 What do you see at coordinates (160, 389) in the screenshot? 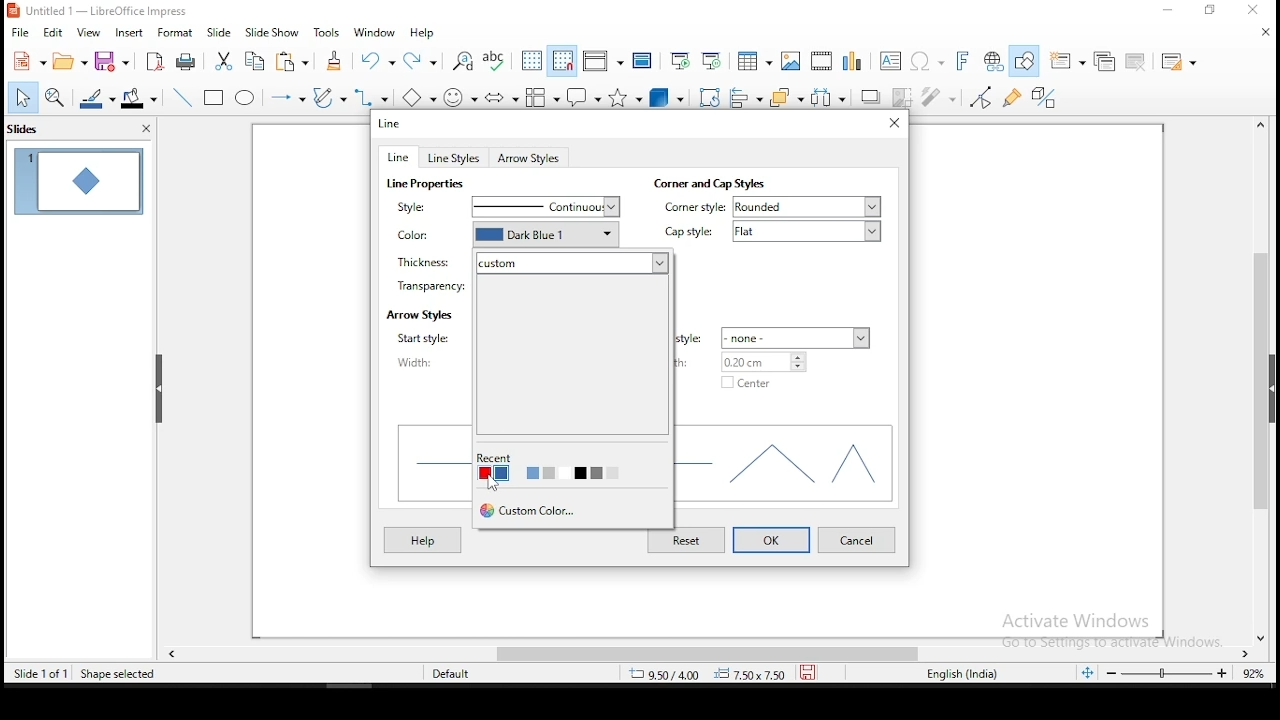
I see `Minimize sidebar` at bounding box center [160, 389].